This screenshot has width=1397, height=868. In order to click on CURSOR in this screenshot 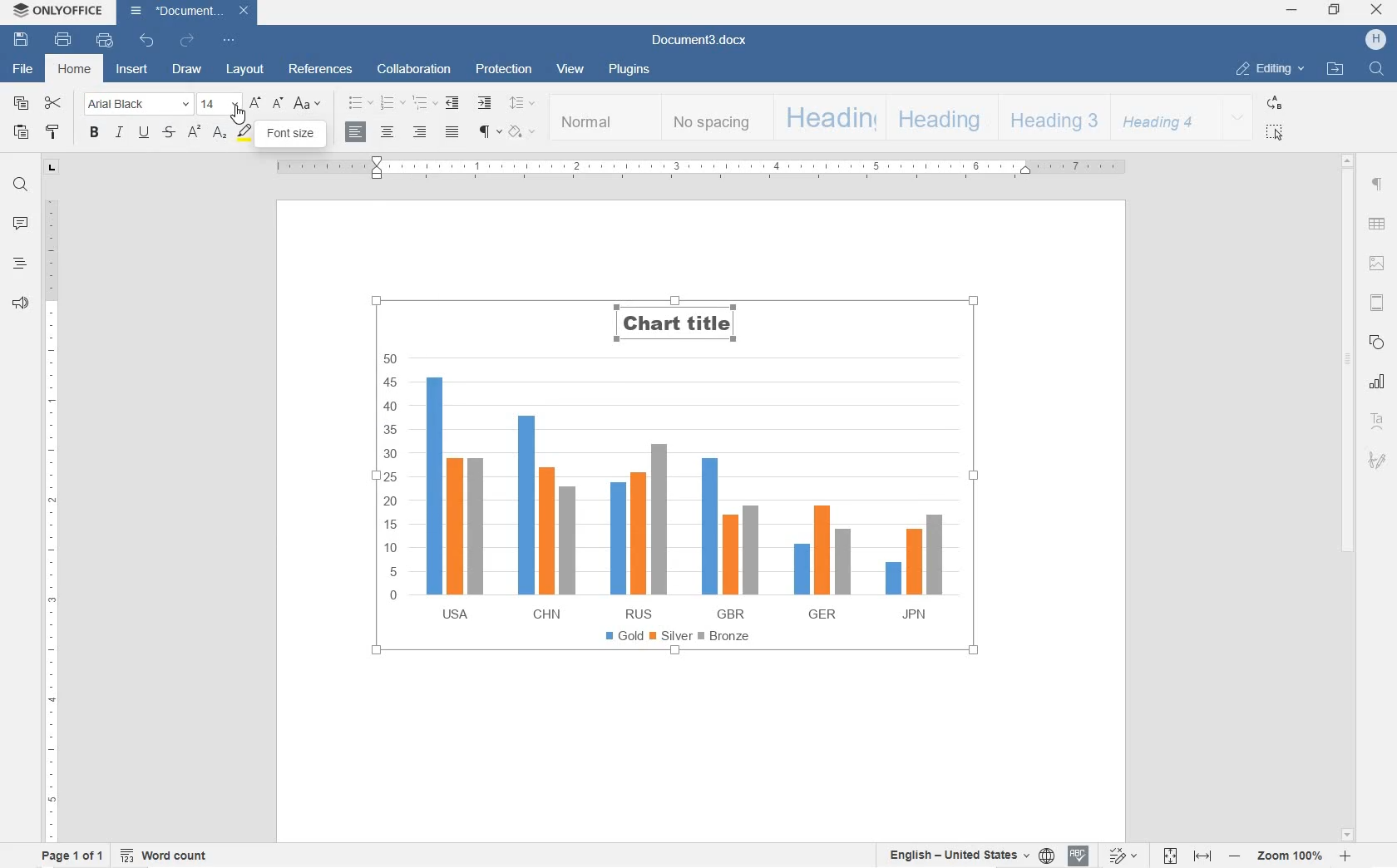, I will do `click(239, 117)`.